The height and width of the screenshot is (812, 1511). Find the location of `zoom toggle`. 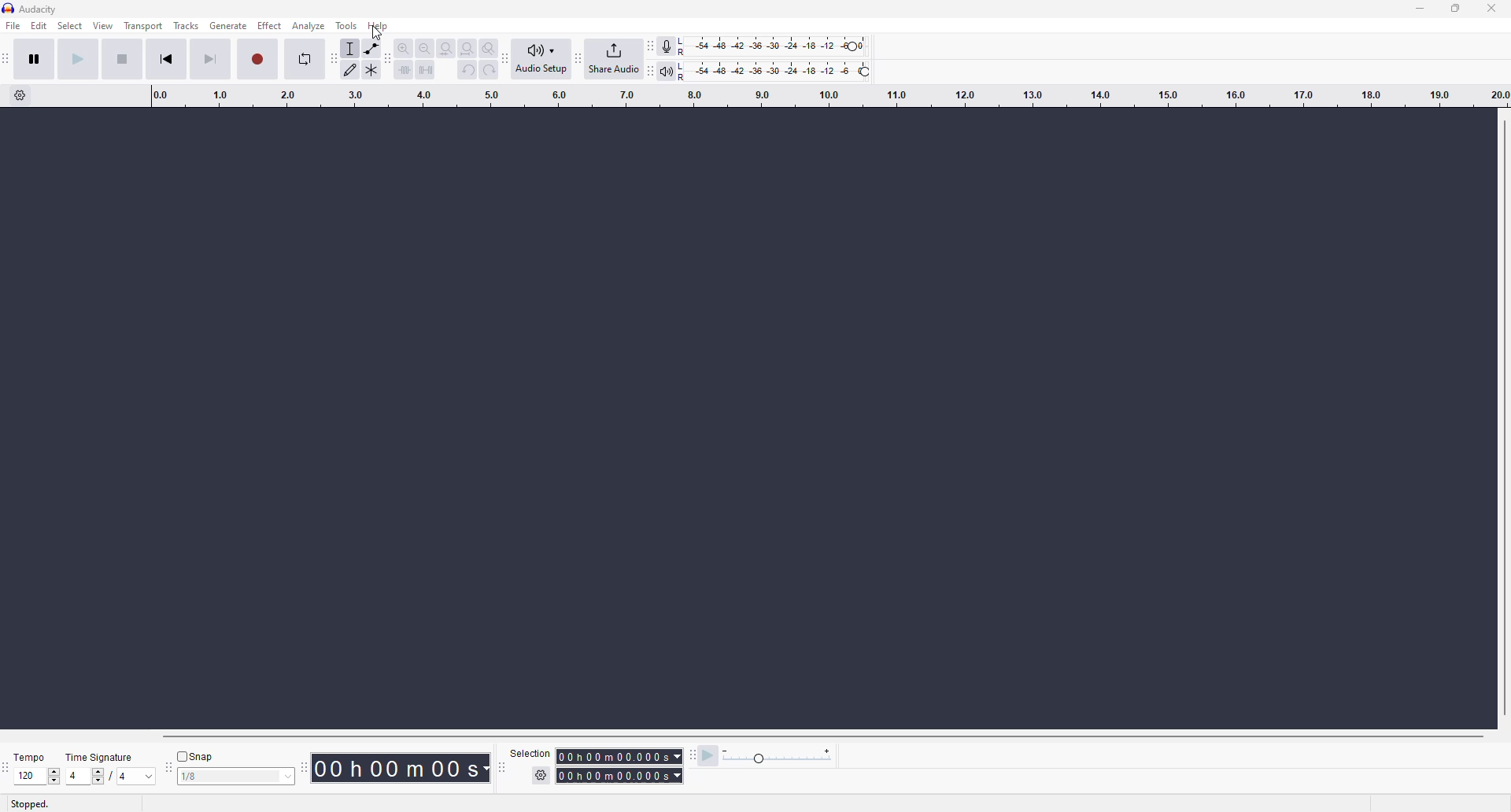

zoom toggle is located at coordinates (488, 46).